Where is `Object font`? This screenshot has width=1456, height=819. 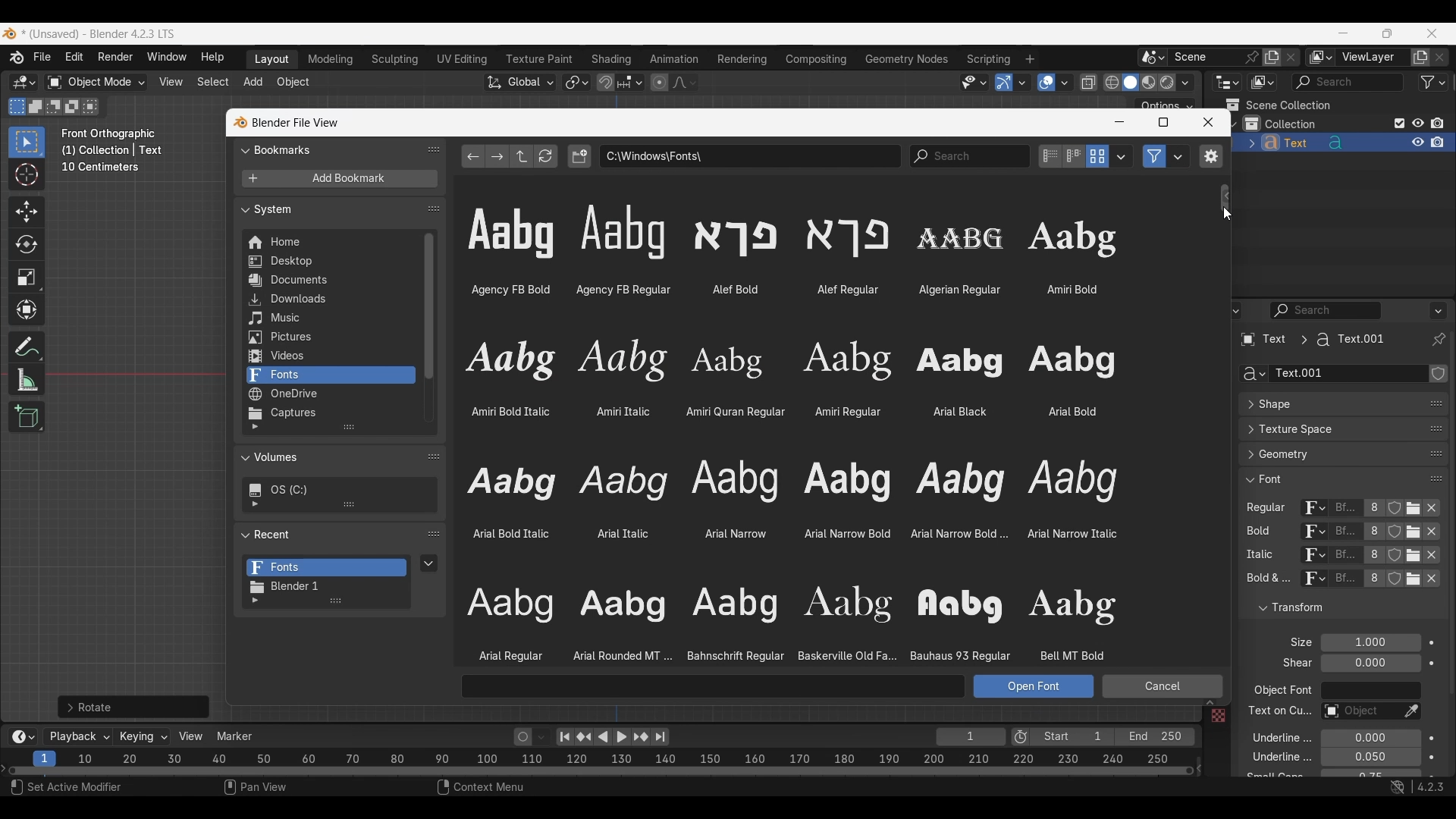 Object font is located at coordinates (1370, 691).